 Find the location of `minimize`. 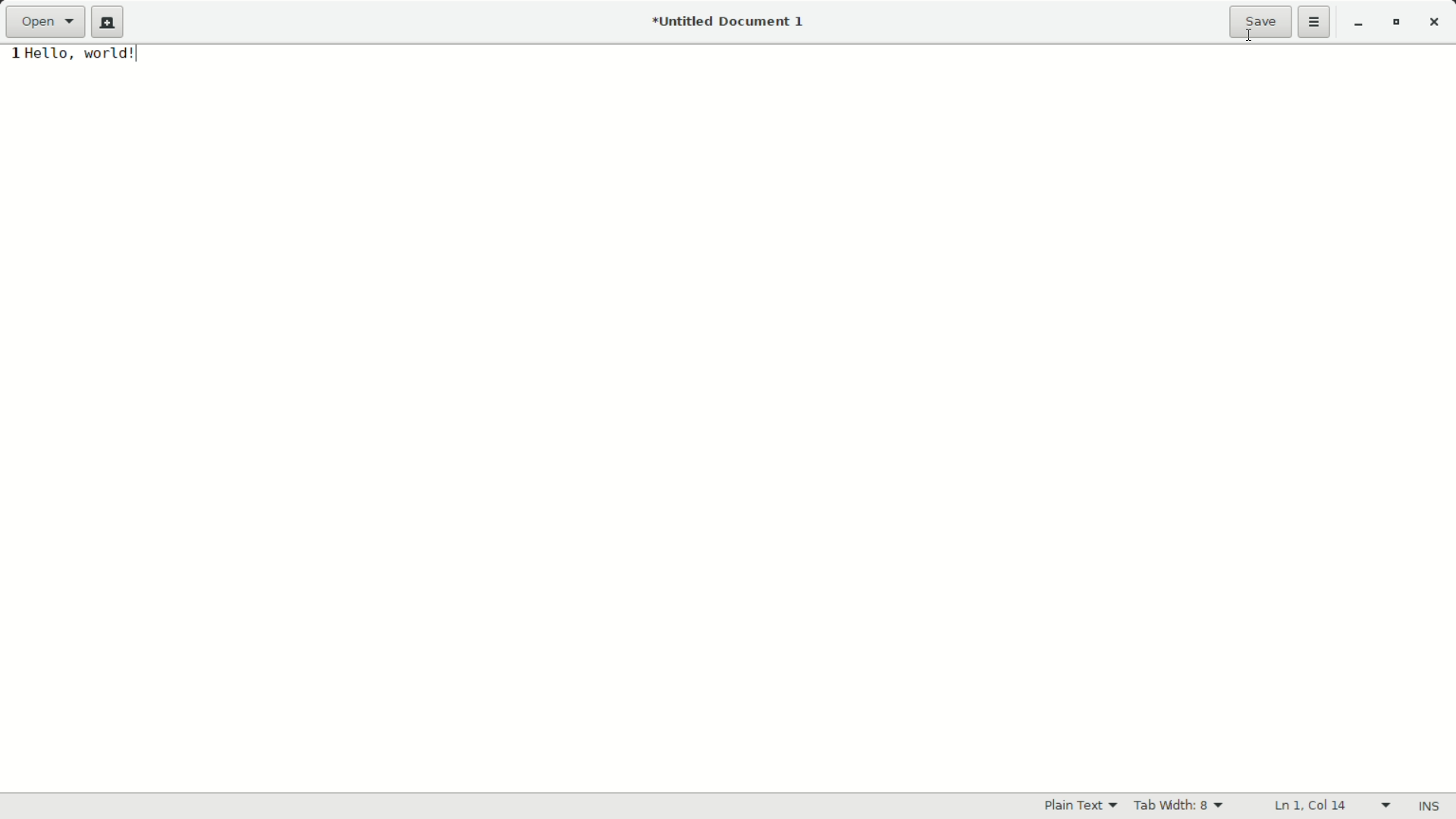

minimize is located at coordinates (1358, 24).